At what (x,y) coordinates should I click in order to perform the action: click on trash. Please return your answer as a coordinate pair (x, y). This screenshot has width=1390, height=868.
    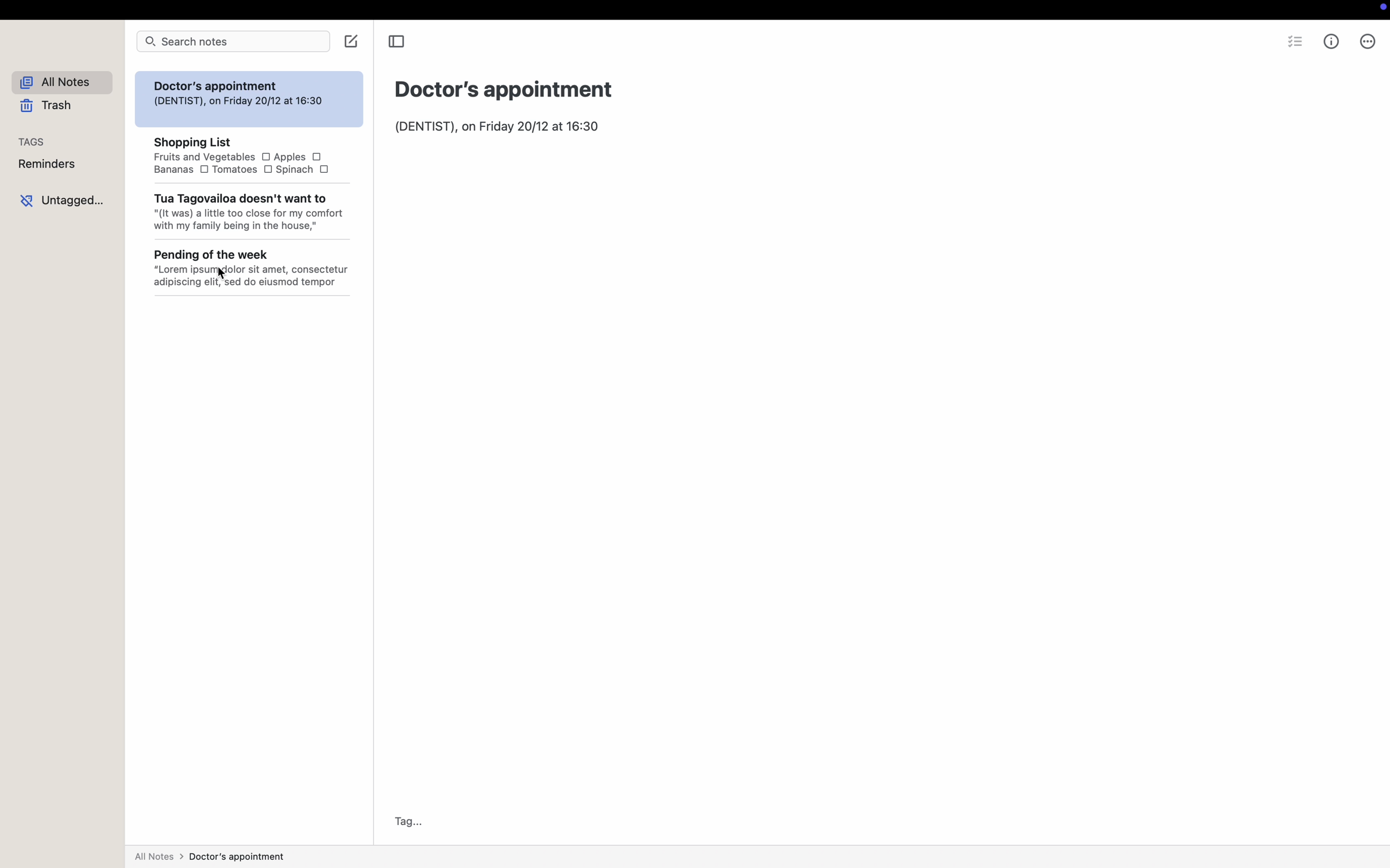
    Looking at the image, I should click on (44, 106).